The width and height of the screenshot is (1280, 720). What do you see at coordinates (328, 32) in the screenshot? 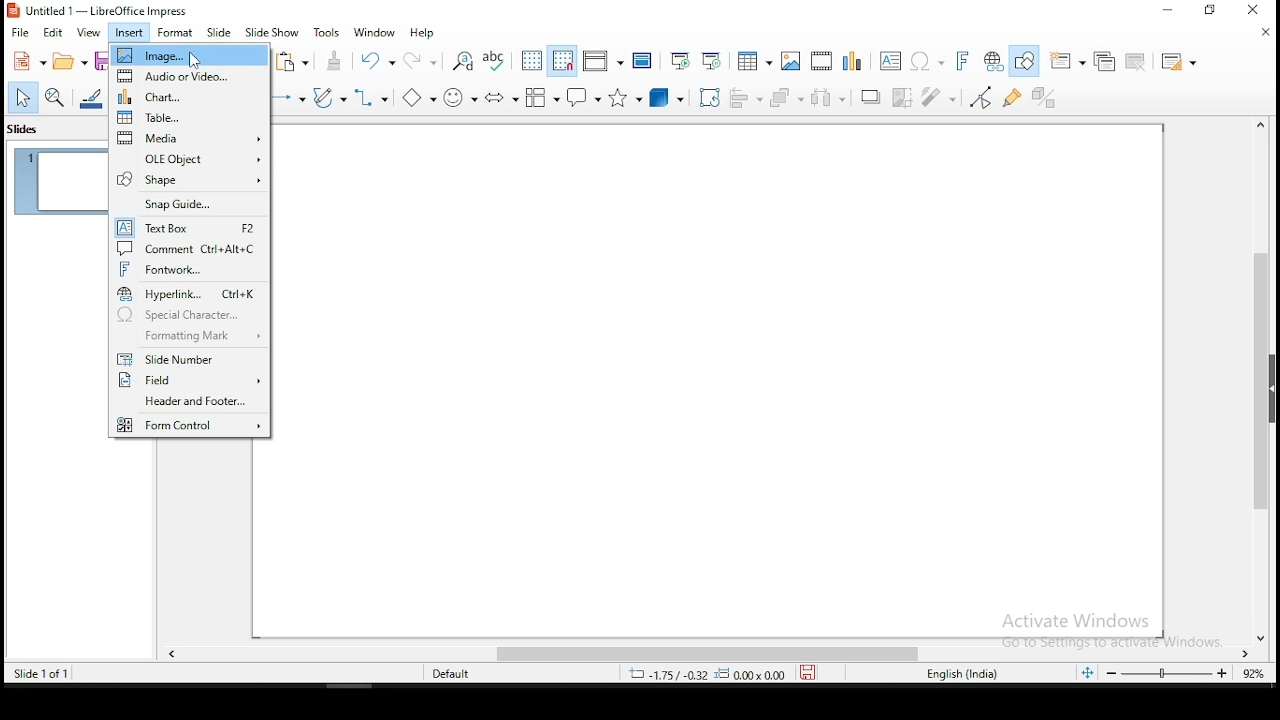
I see `tools` at bounding box center [328, 32].